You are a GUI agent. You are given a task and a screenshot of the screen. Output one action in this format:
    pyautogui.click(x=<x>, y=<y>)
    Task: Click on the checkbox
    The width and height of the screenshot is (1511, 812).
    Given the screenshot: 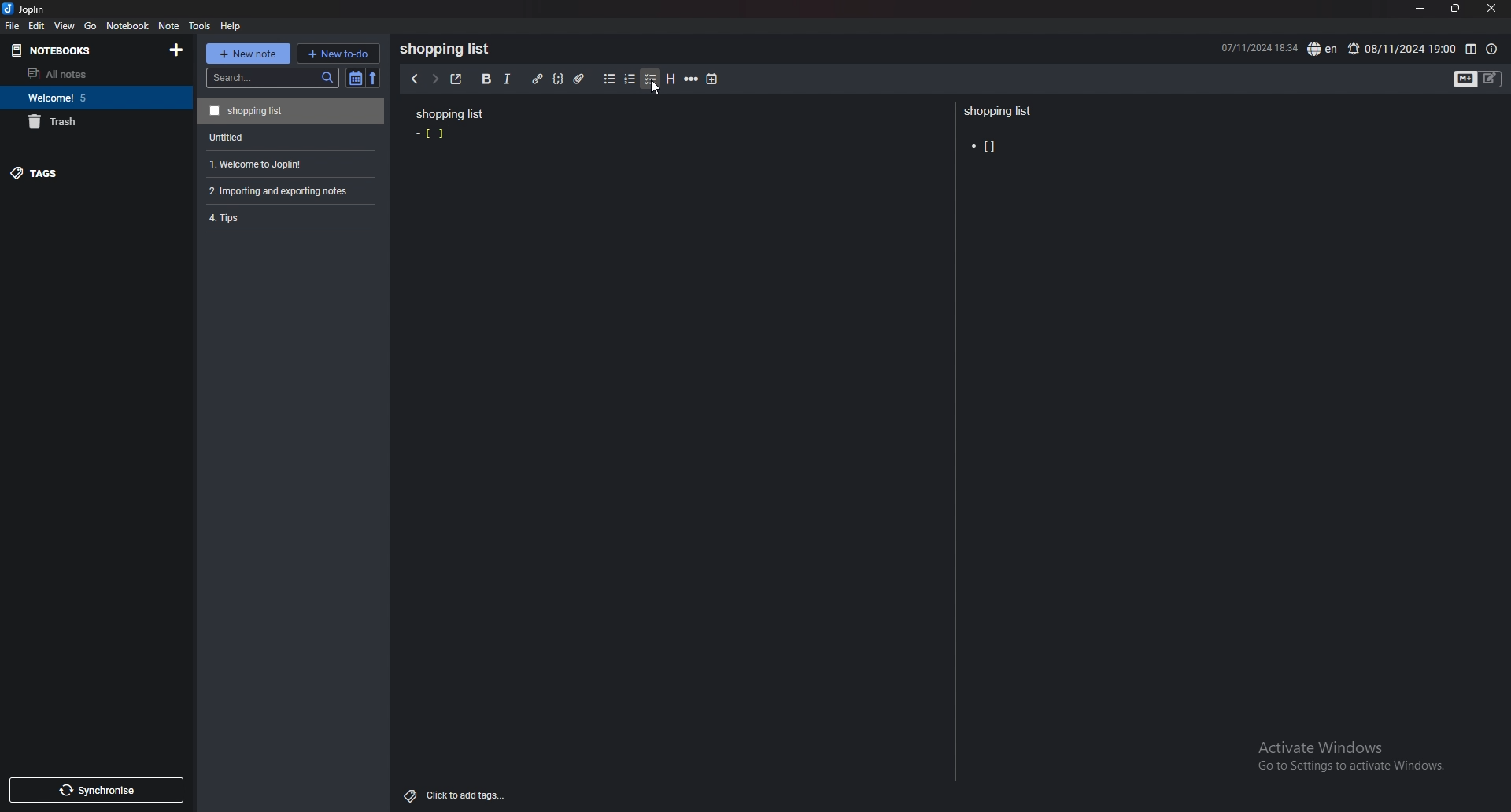 What is the action you would take?
    pyautogui.click(x=986, y=146)
    